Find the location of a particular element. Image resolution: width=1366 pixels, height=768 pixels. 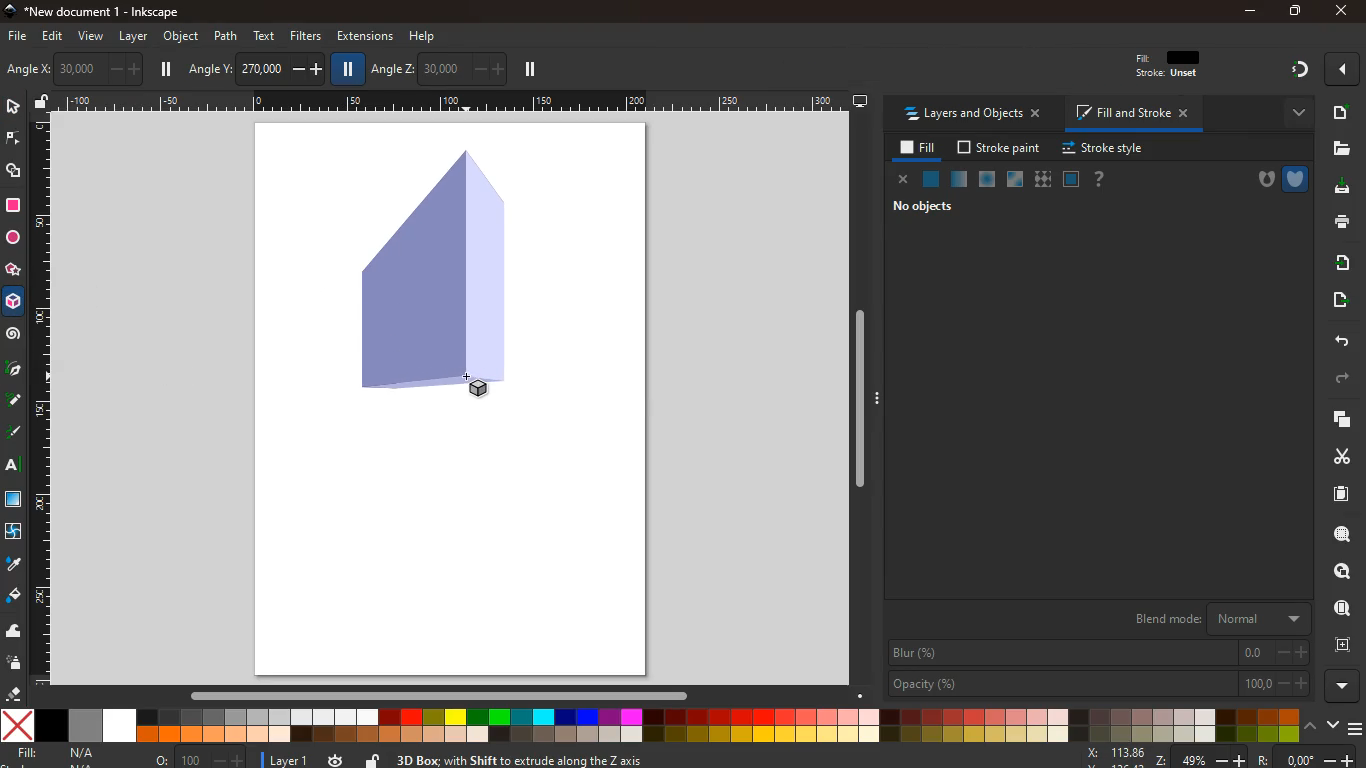

cut is located at coordinates (1334, 456).